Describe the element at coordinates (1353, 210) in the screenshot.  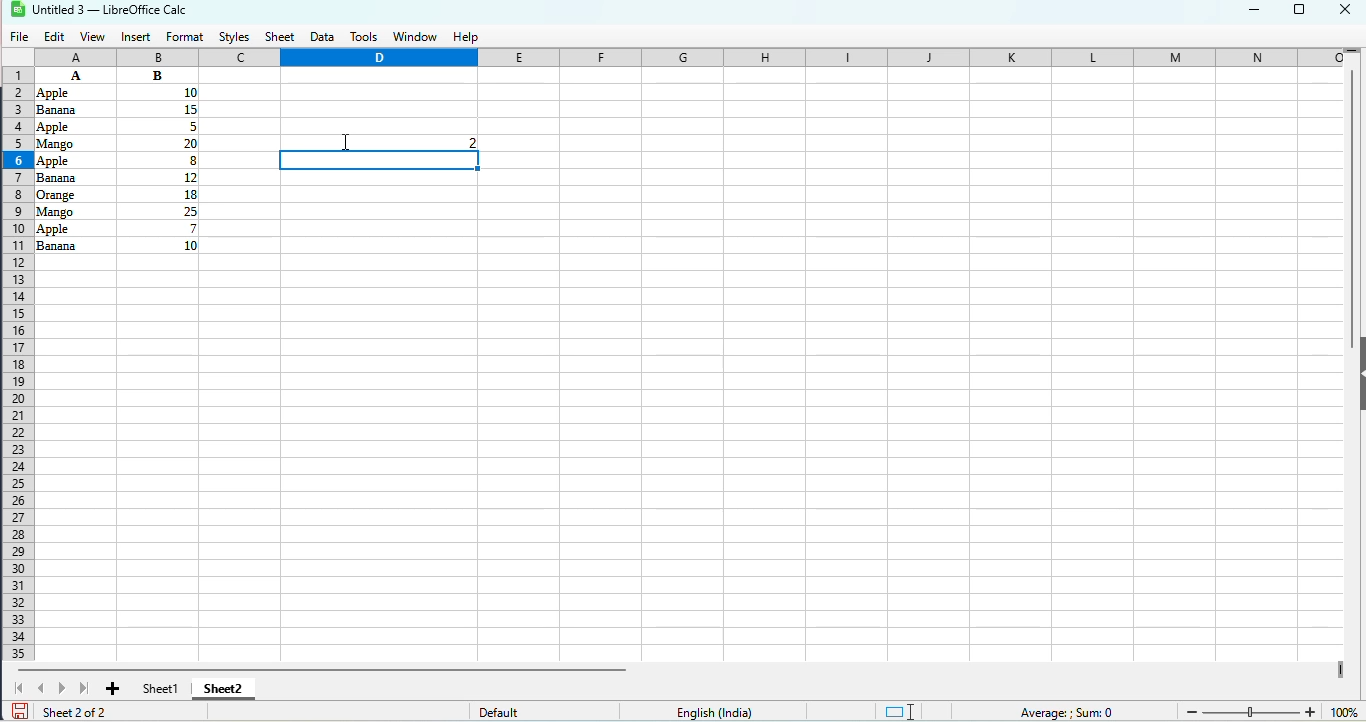
I see `vertical scroll bar` at that location.